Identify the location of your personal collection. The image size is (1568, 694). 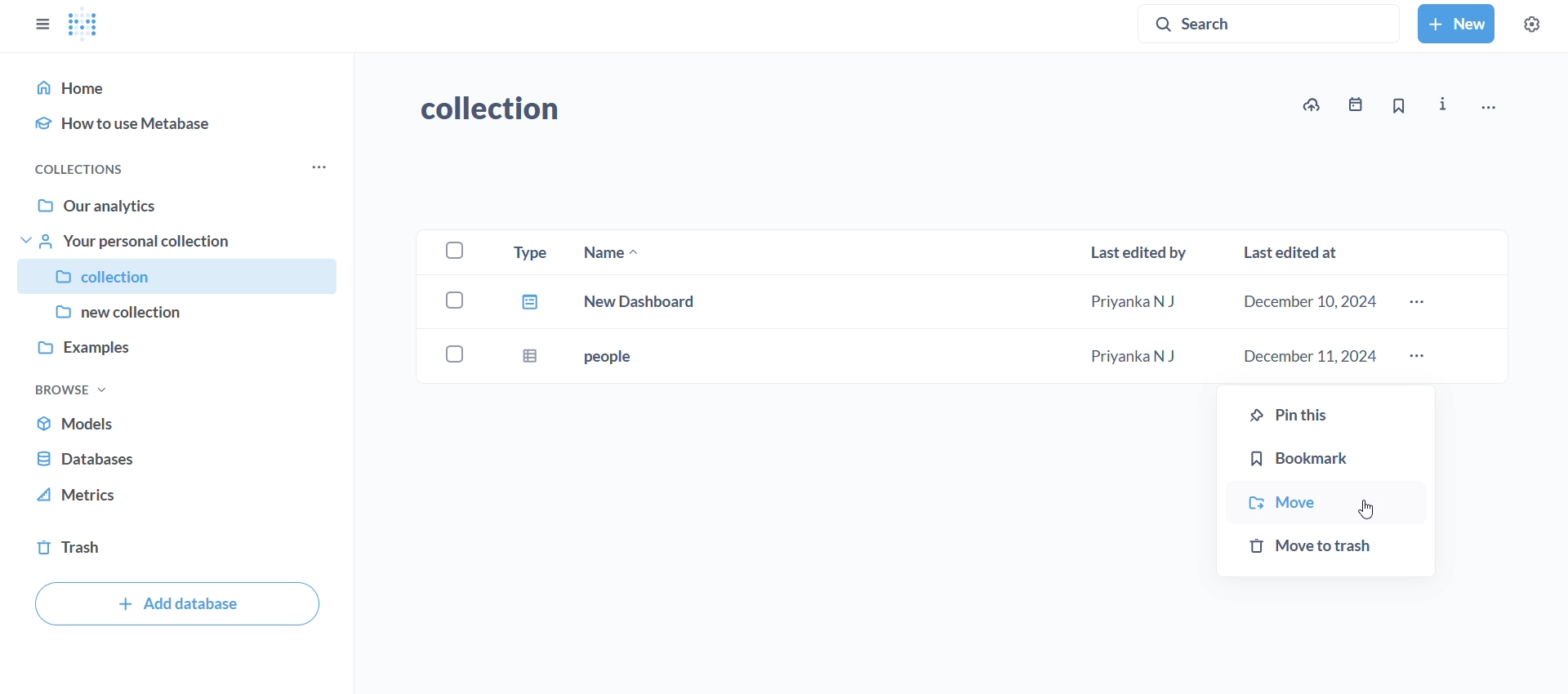
(180, 242).